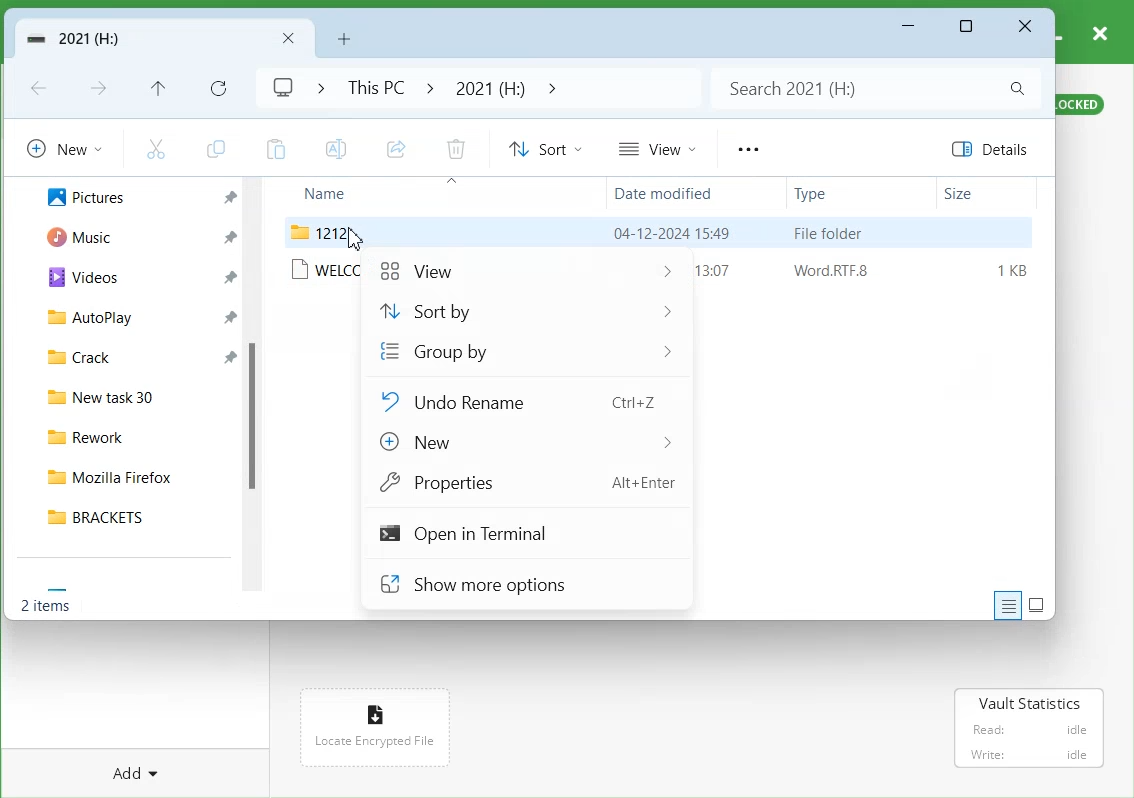 The image size is (1134, 798). What do you see at coordinates (229, 276) in the screenshot?
I see `Pin a file` at bounding box center [229, 276].